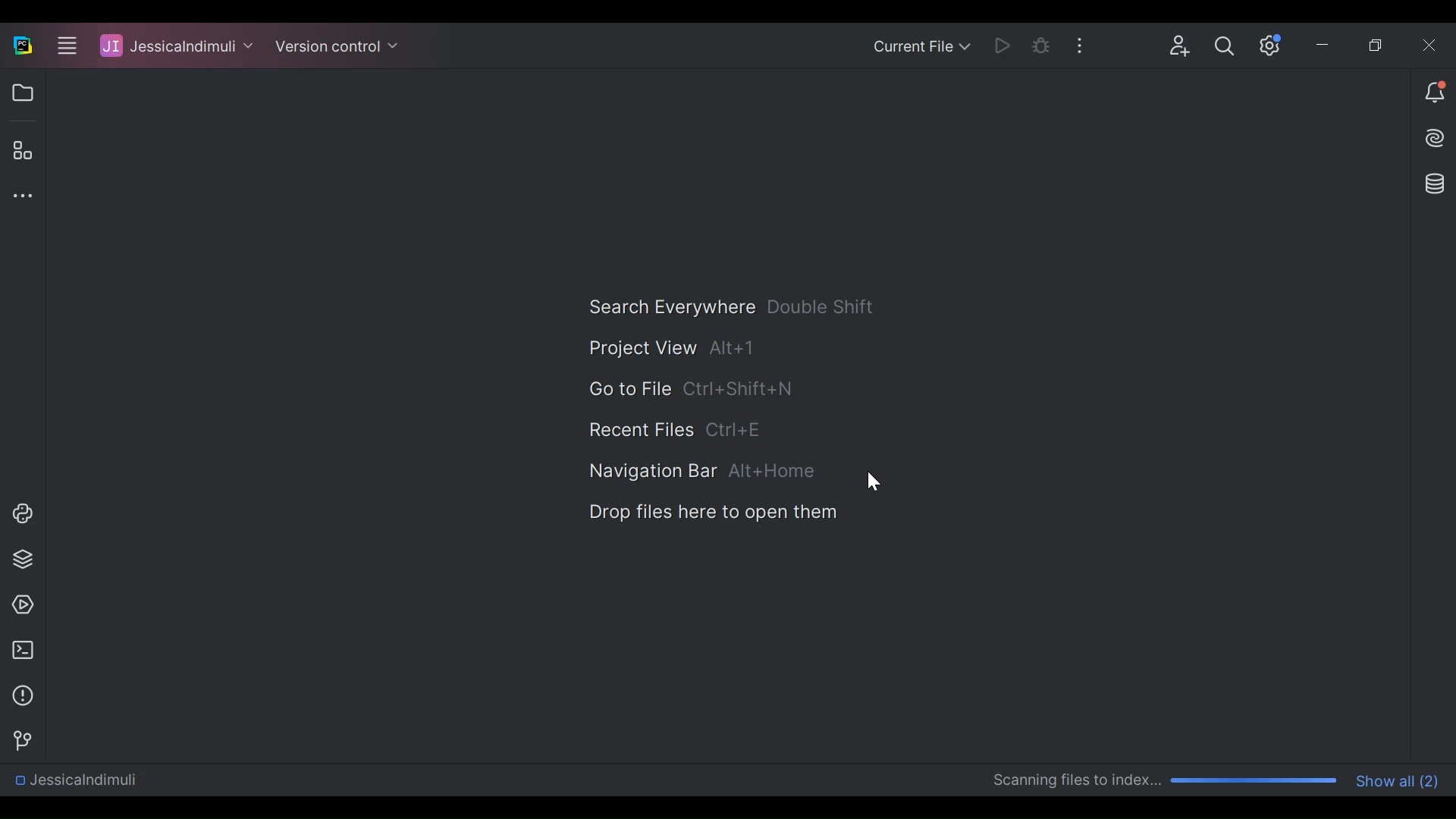 This screenshot has height=819, width=1456. I want to click on More Tool window, so click(19, 196).